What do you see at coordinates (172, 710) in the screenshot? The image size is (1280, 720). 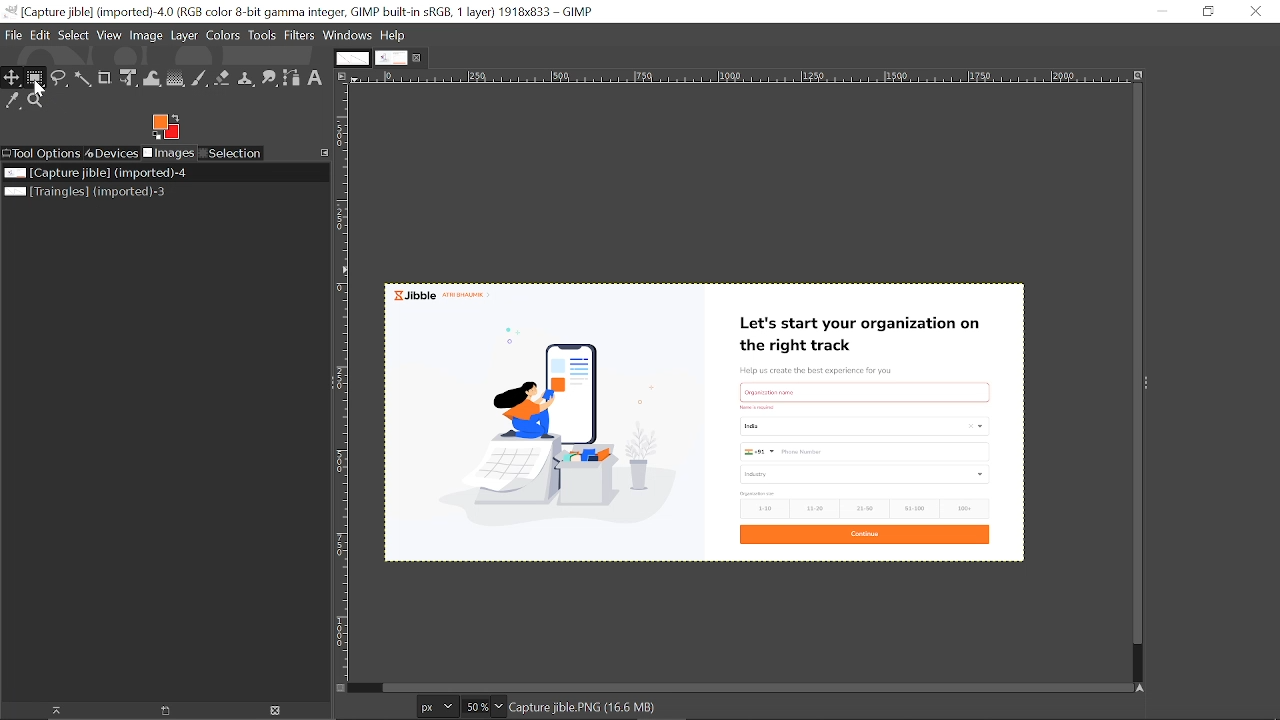 I see `Create a new display for this image` at bounding box center [172, 710].